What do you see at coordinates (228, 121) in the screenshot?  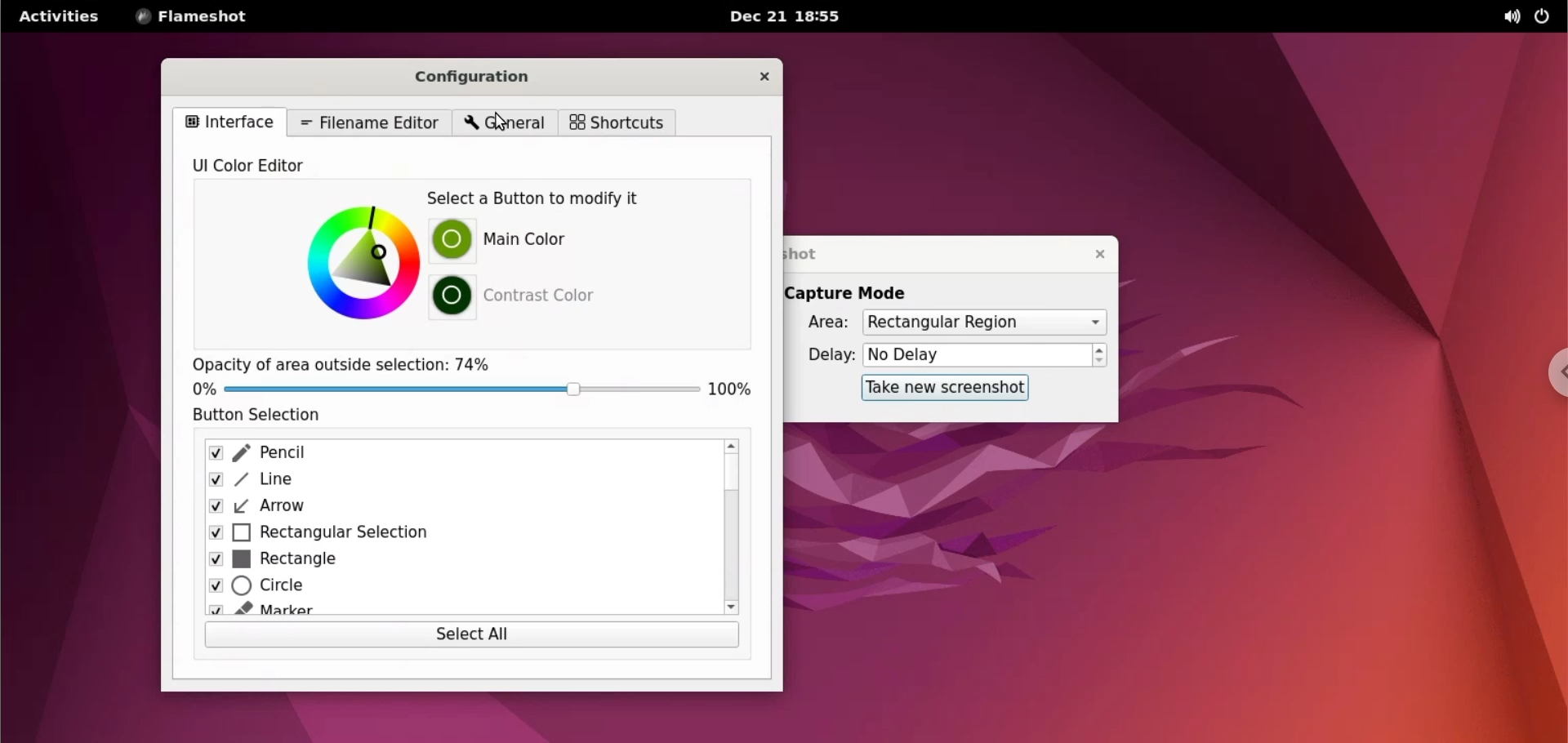 I see `interface` at bounding box center [228, 121].